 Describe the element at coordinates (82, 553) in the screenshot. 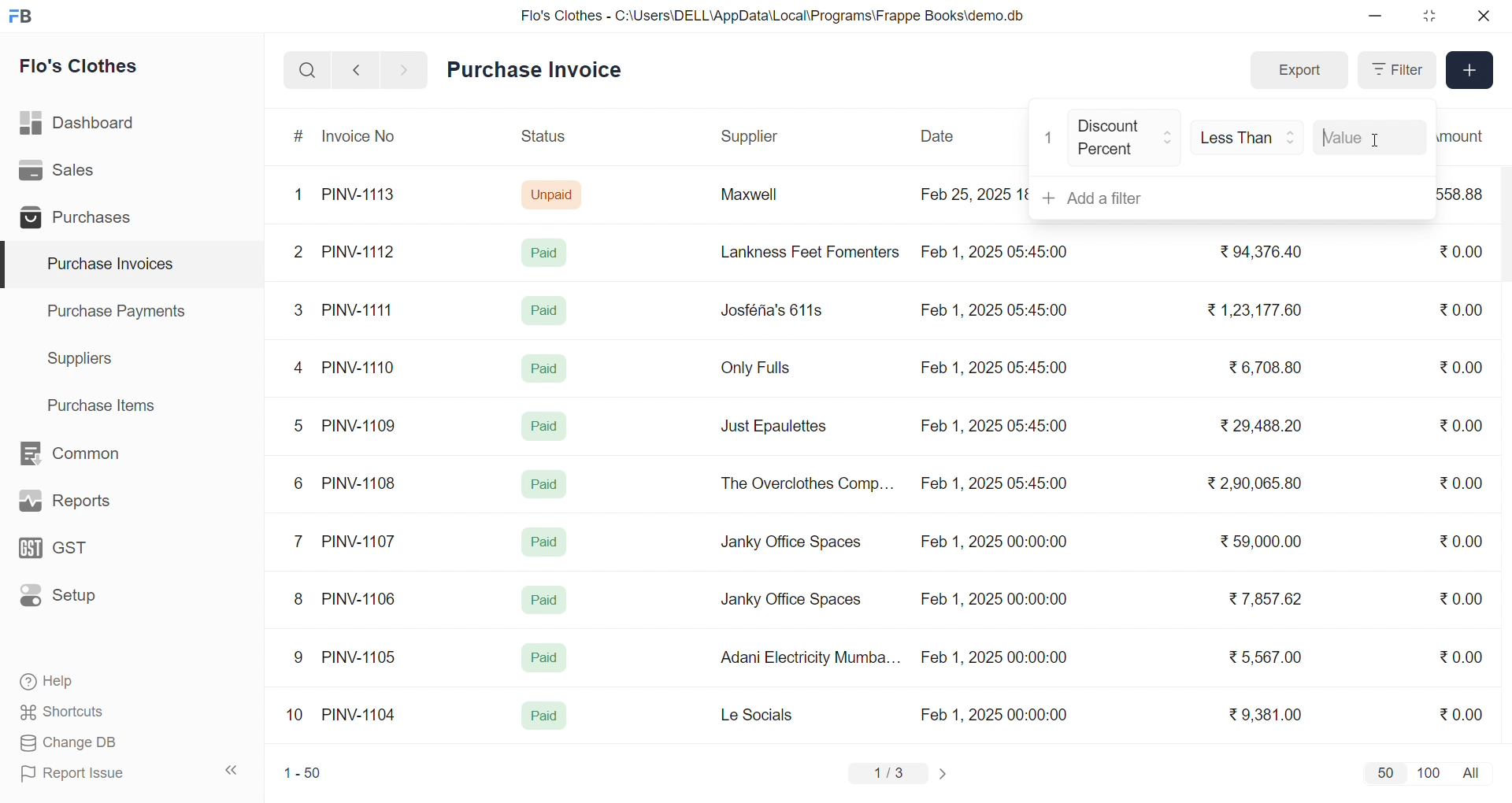

I see `GST` at that location.